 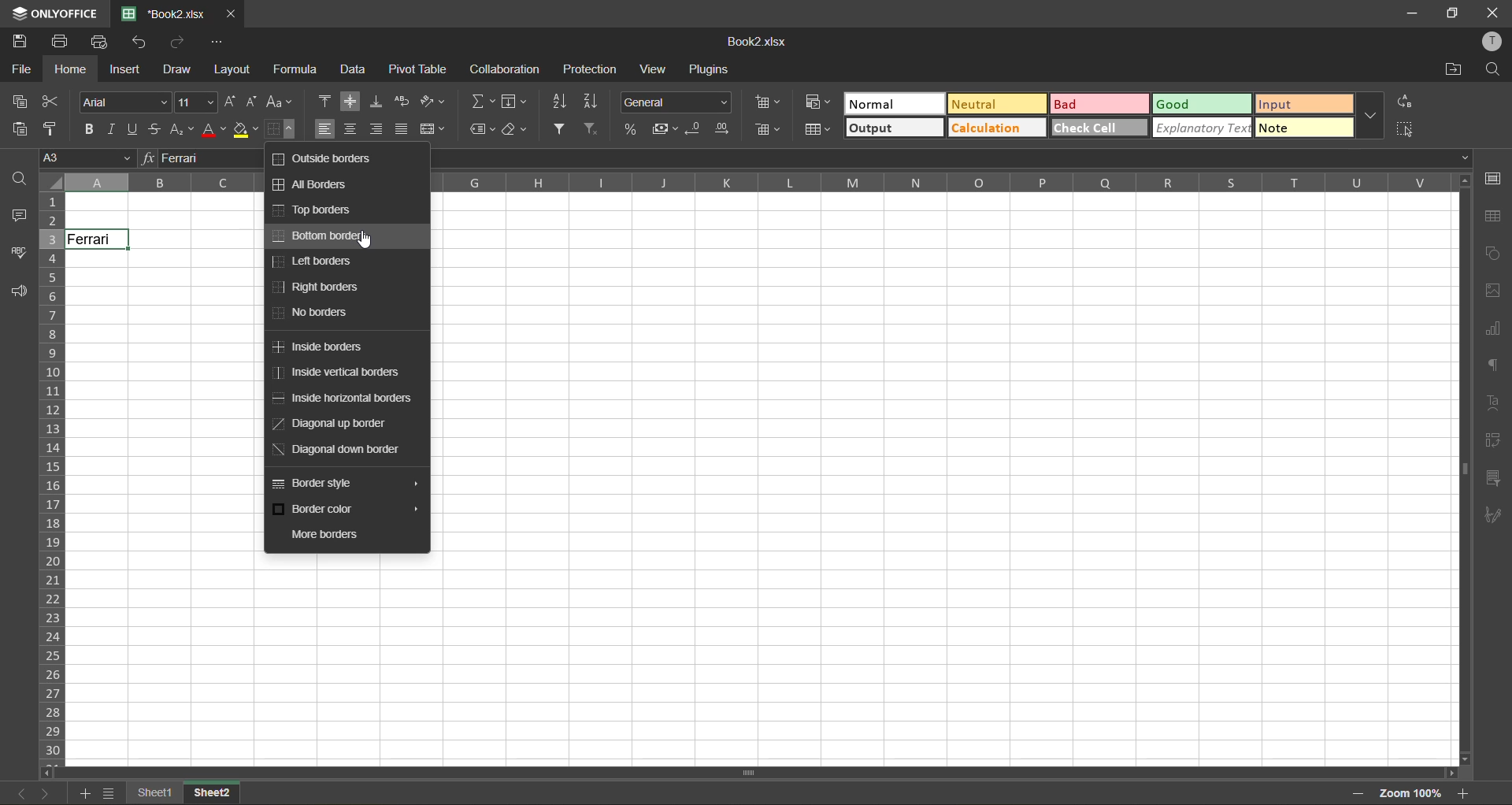 What do you see at coordinates (1301, 103) in the screenshot?
I see `input` at bounding box center [1301, 103].